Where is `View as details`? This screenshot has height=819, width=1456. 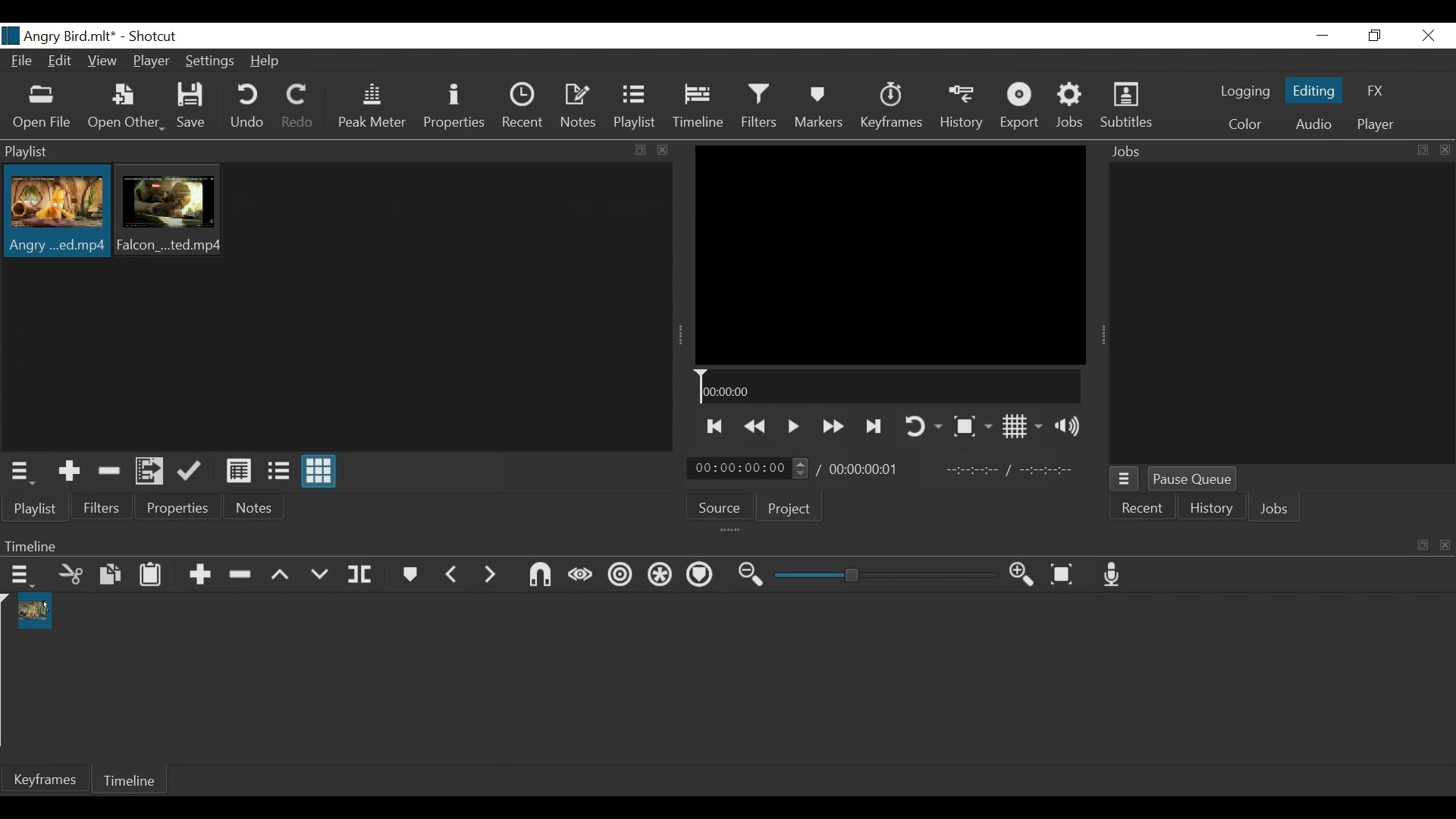
View as details is located at coordinates (240, 472).